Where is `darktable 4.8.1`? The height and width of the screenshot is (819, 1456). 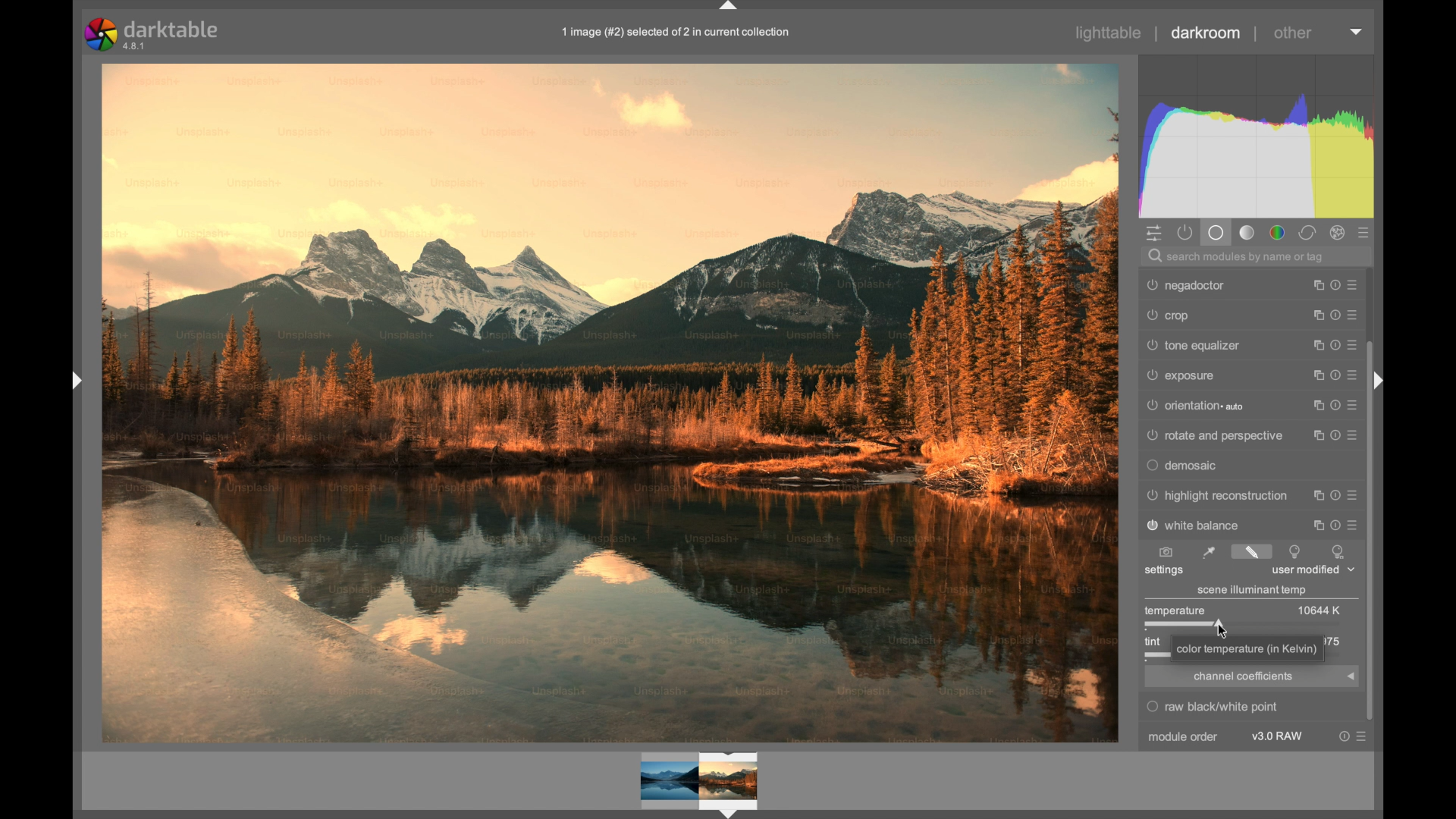 darktable 4.8.1 is located at coordinates (155, 34).